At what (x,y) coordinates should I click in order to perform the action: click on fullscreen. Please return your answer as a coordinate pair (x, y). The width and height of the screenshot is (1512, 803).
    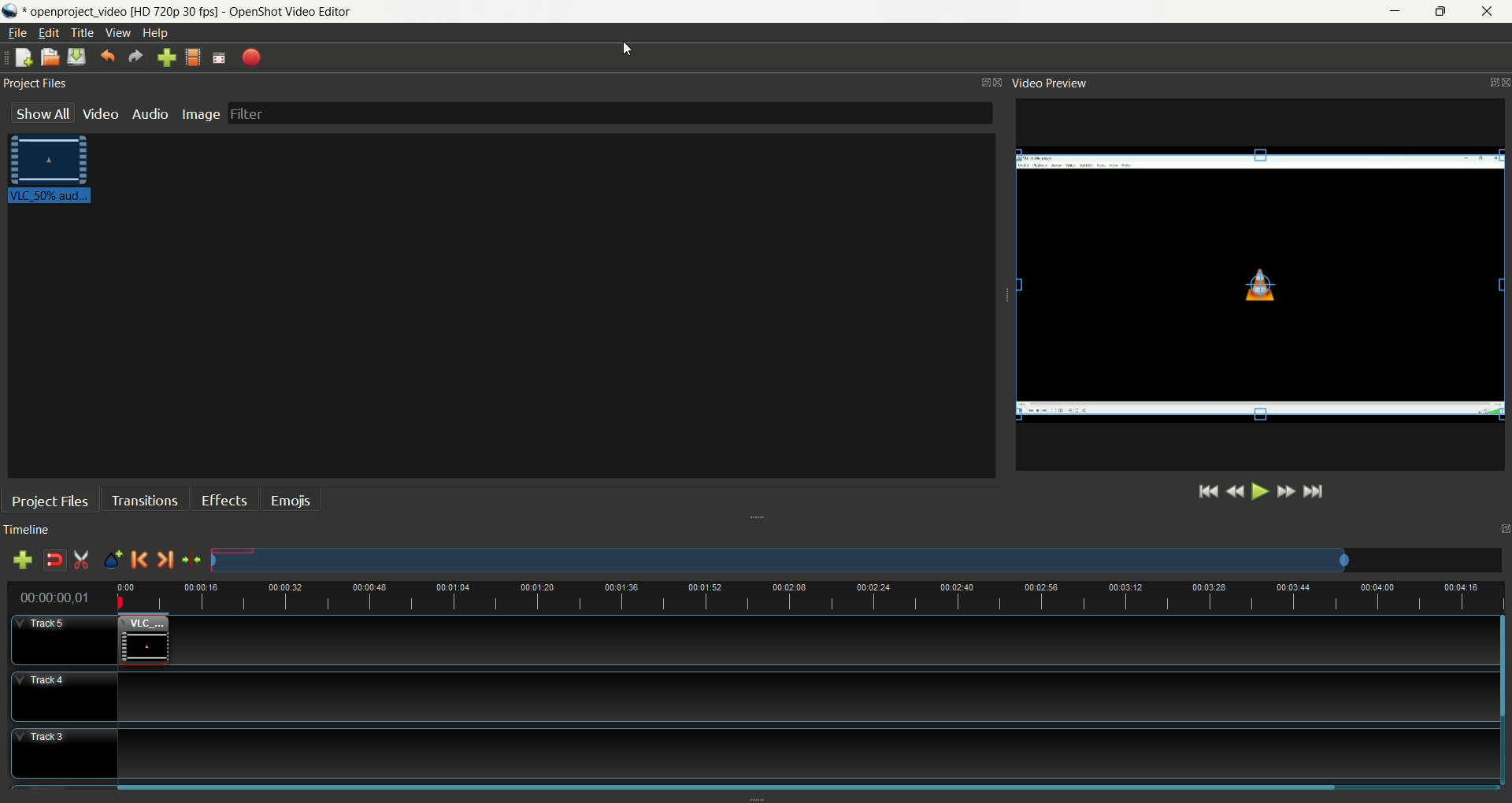
    Looking at the image, I should click on (220, 58).